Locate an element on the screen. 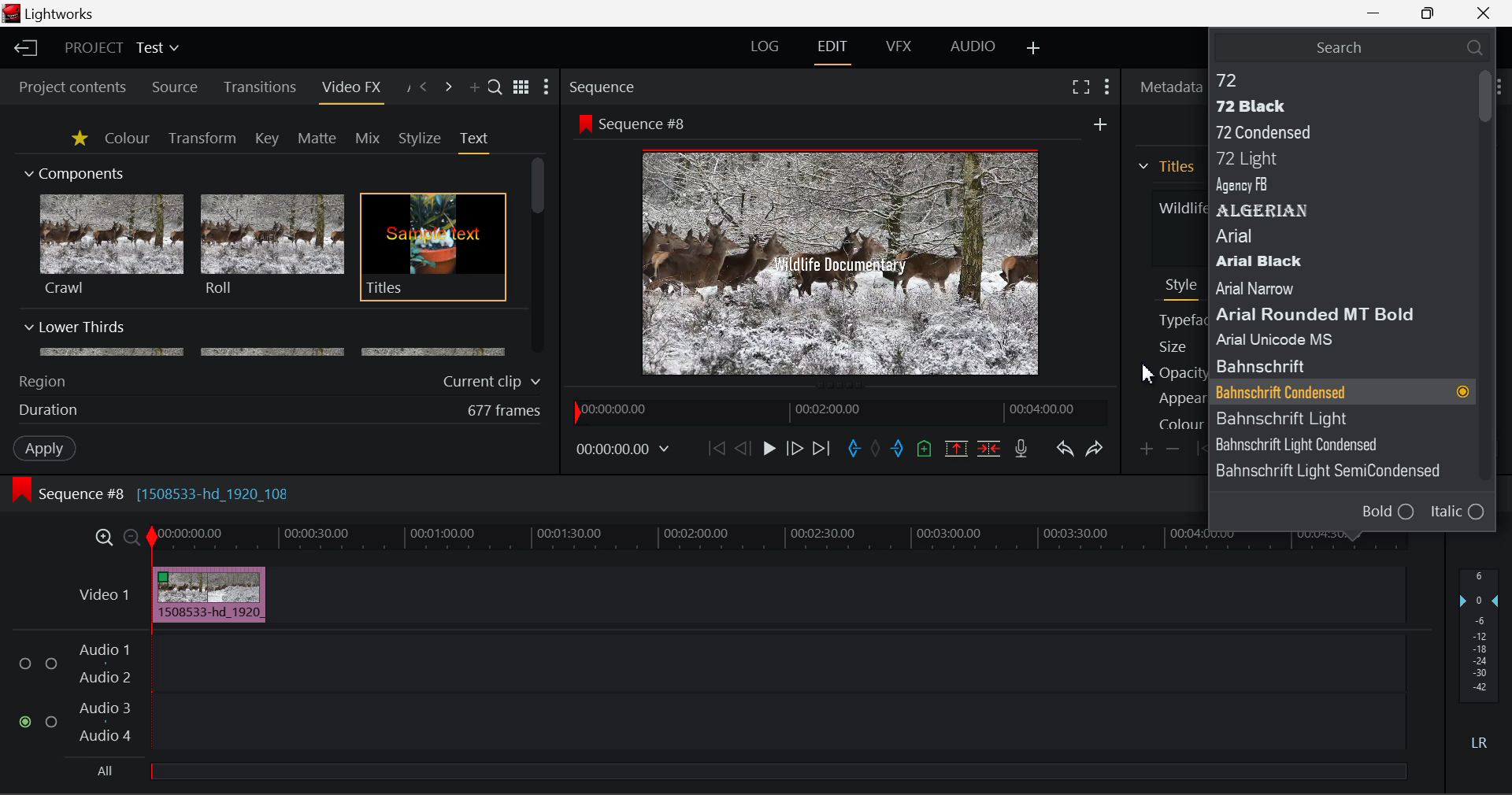 The width and height of the screenshot is (1512, 795). Stylize is located at coordinates (421, 139).